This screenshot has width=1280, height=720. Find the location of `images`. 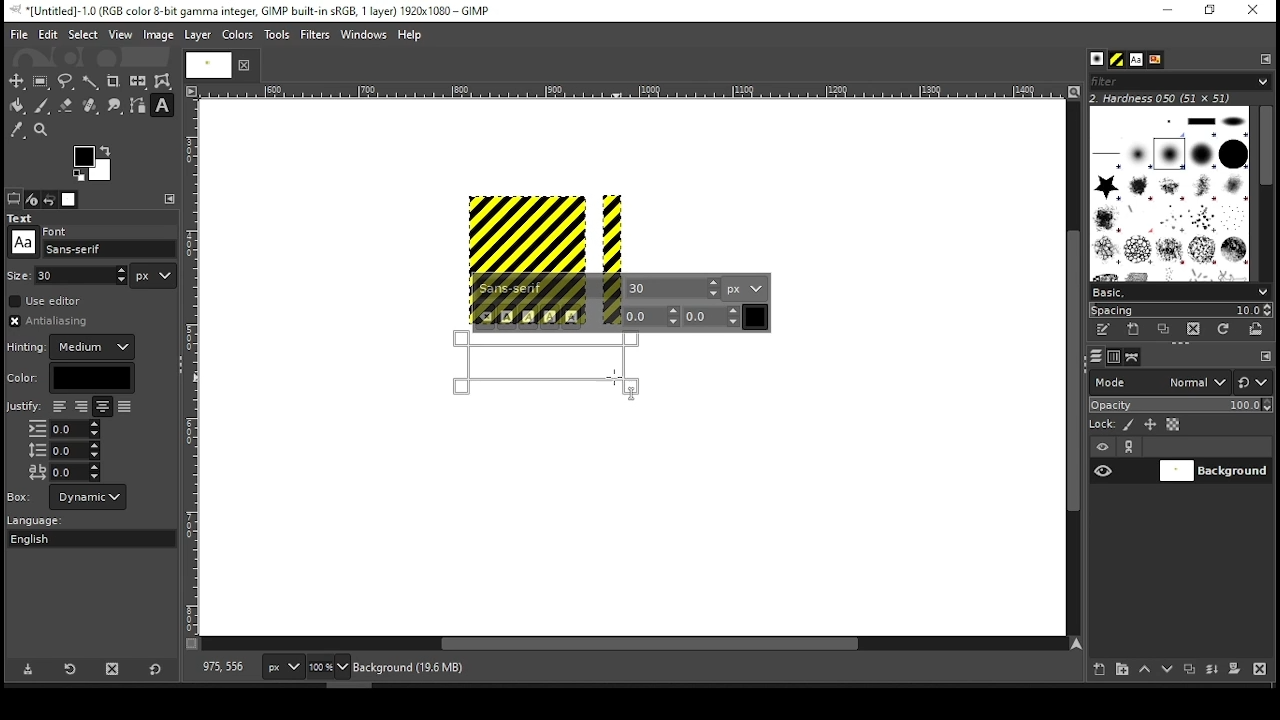

images is located at coordinates (70, 200).